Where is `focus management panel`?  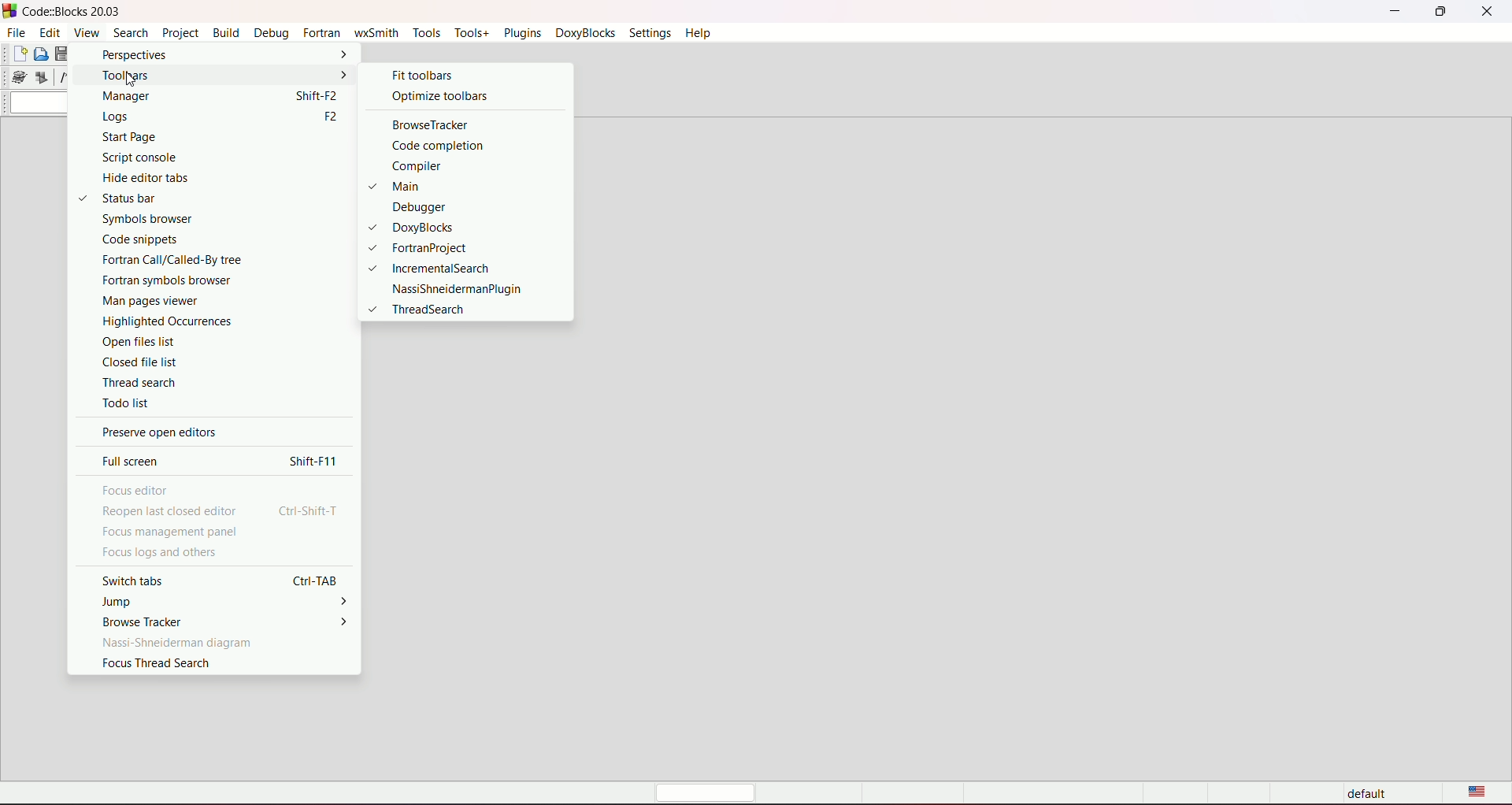 focus management panel is located at coordinates (171, 533).